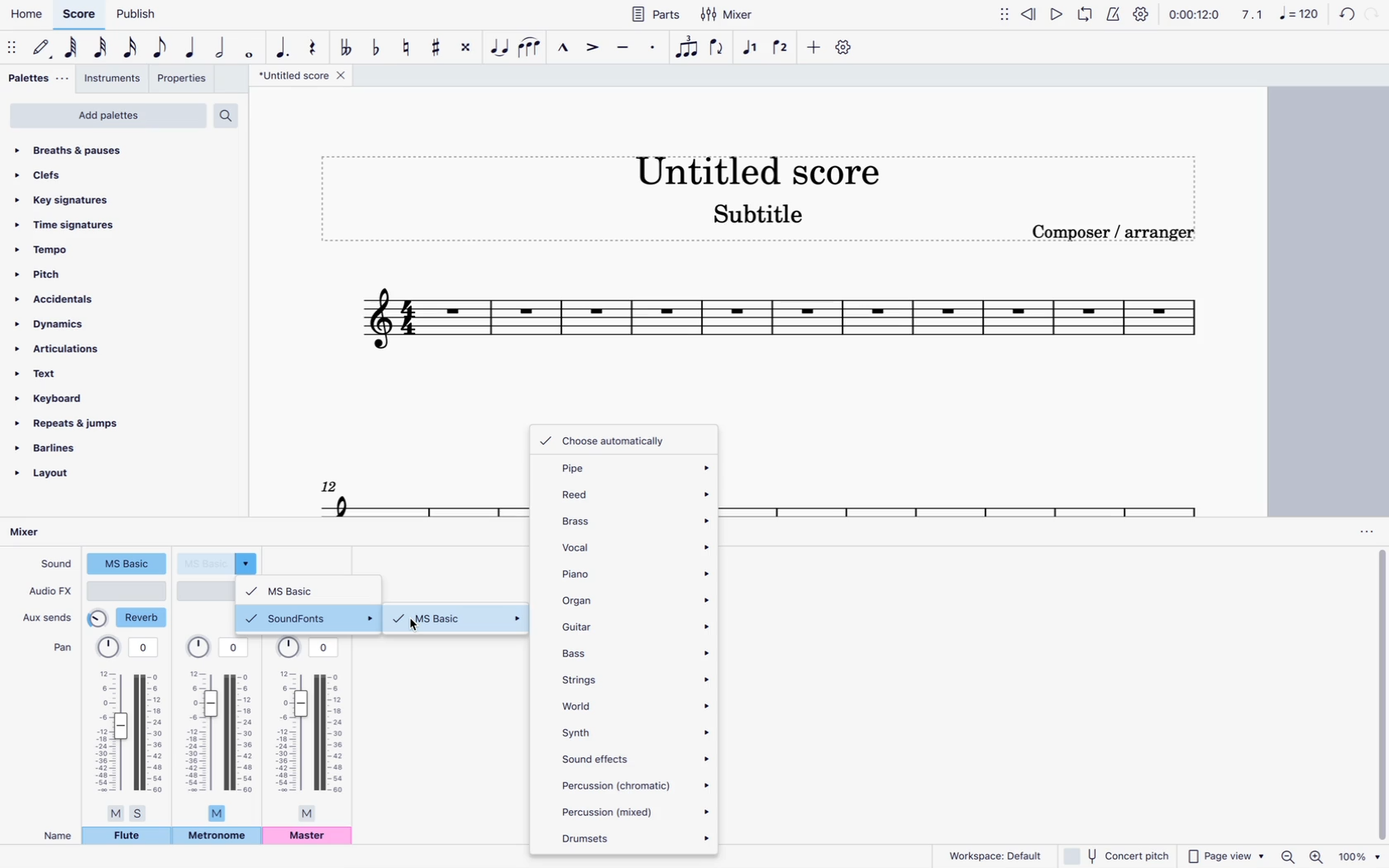  What do you see at coordinates (376, 45) in the screenshot?
I see `toggle flat` at bounding box center [376, 45].